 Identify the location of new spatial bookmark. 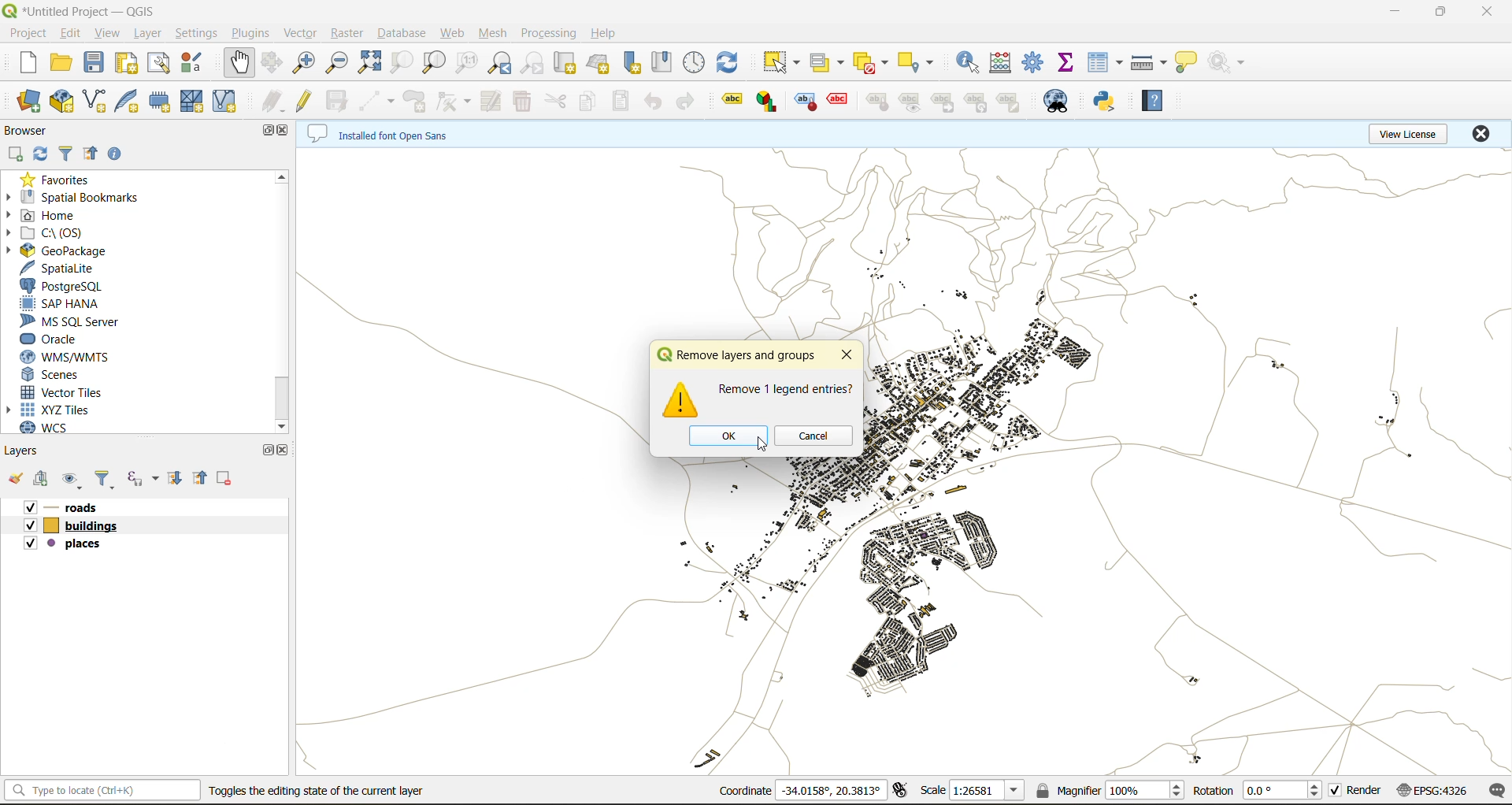
(633, 61).